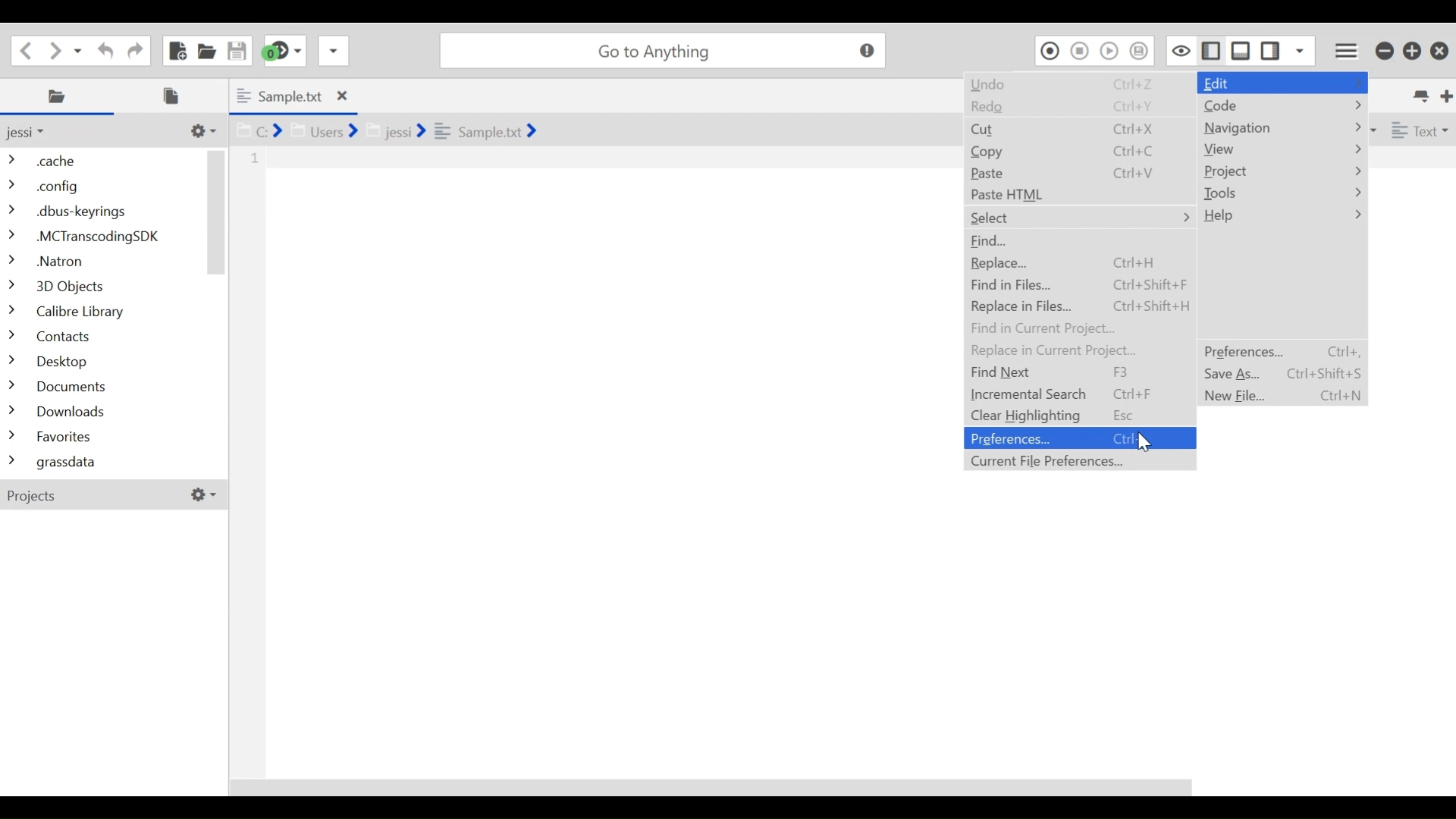 The width and height of the screenshot is (1456, 819). Describe the element at coordinates (56, 49) in the screenshot. I see `Go forward one location` at that location.